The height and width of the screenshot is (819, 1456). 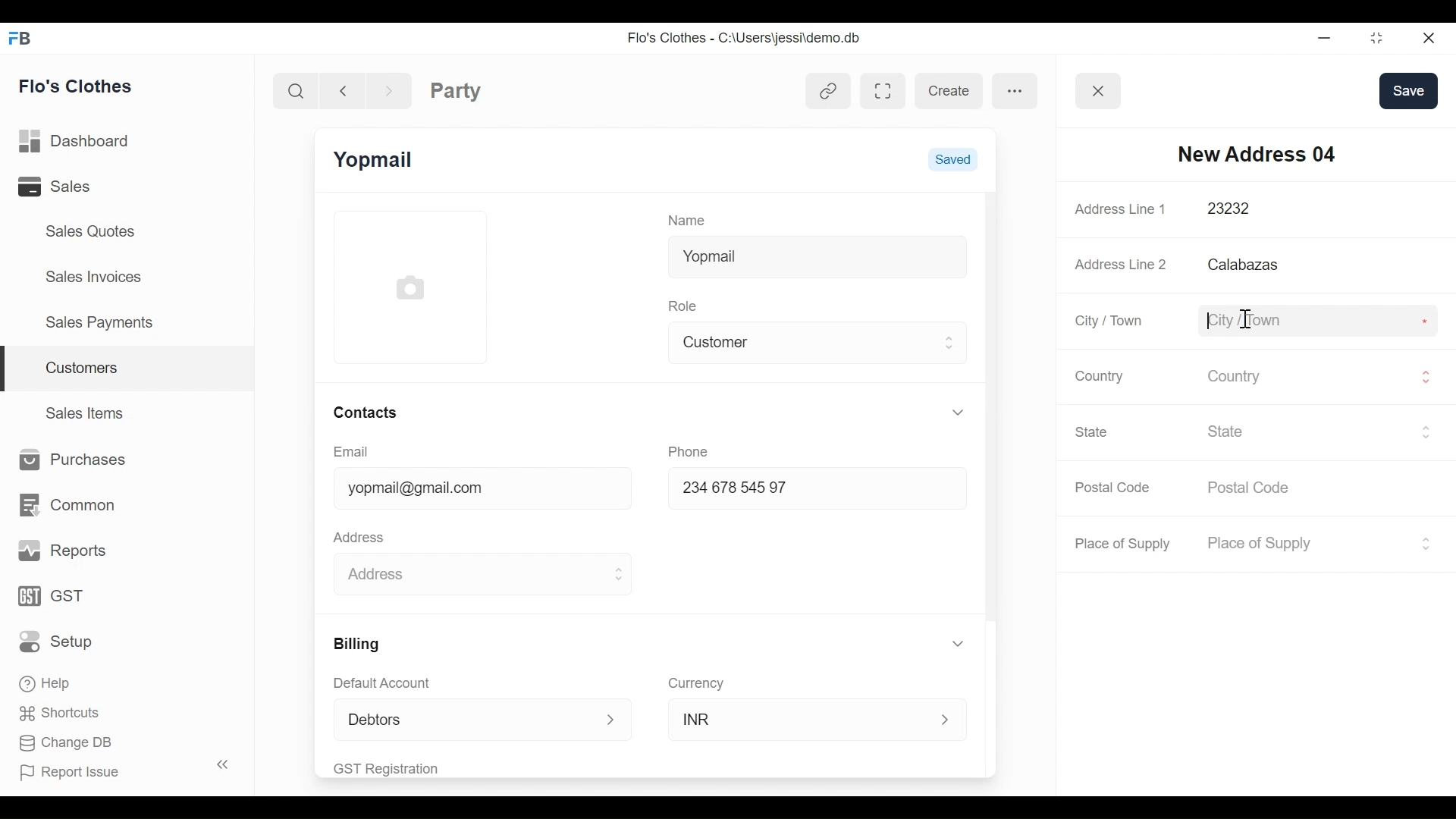 What do you see at coordinates (129, 369) in the screenshot?
I see `Customers` at bounding box center [129, 369].